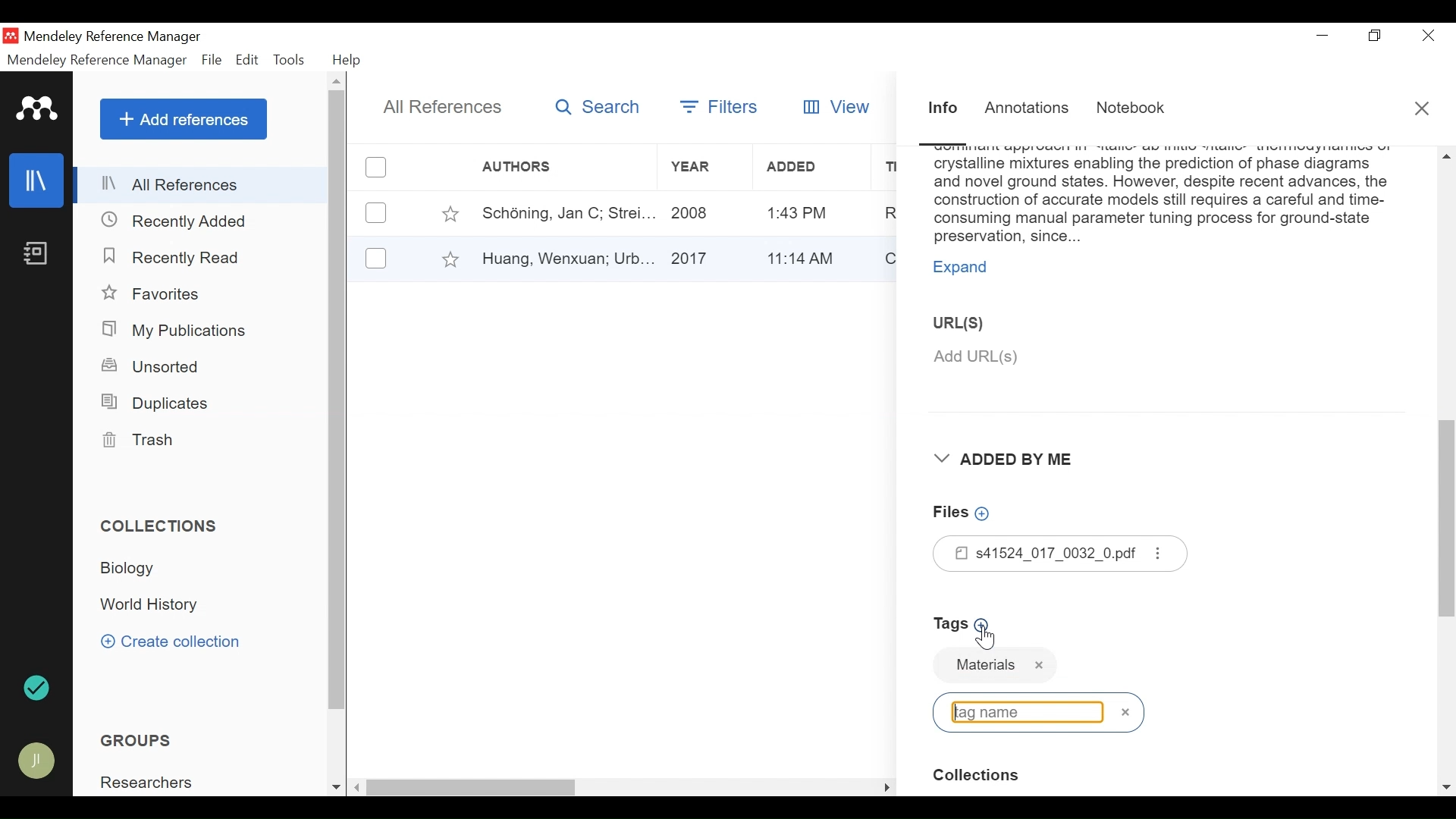 The width and height of the screenshot is (1456, 819). What do you see at coordinates (1039, 667) in the screenshot?
I see `Tag name` at bounding box center [1039, 667].